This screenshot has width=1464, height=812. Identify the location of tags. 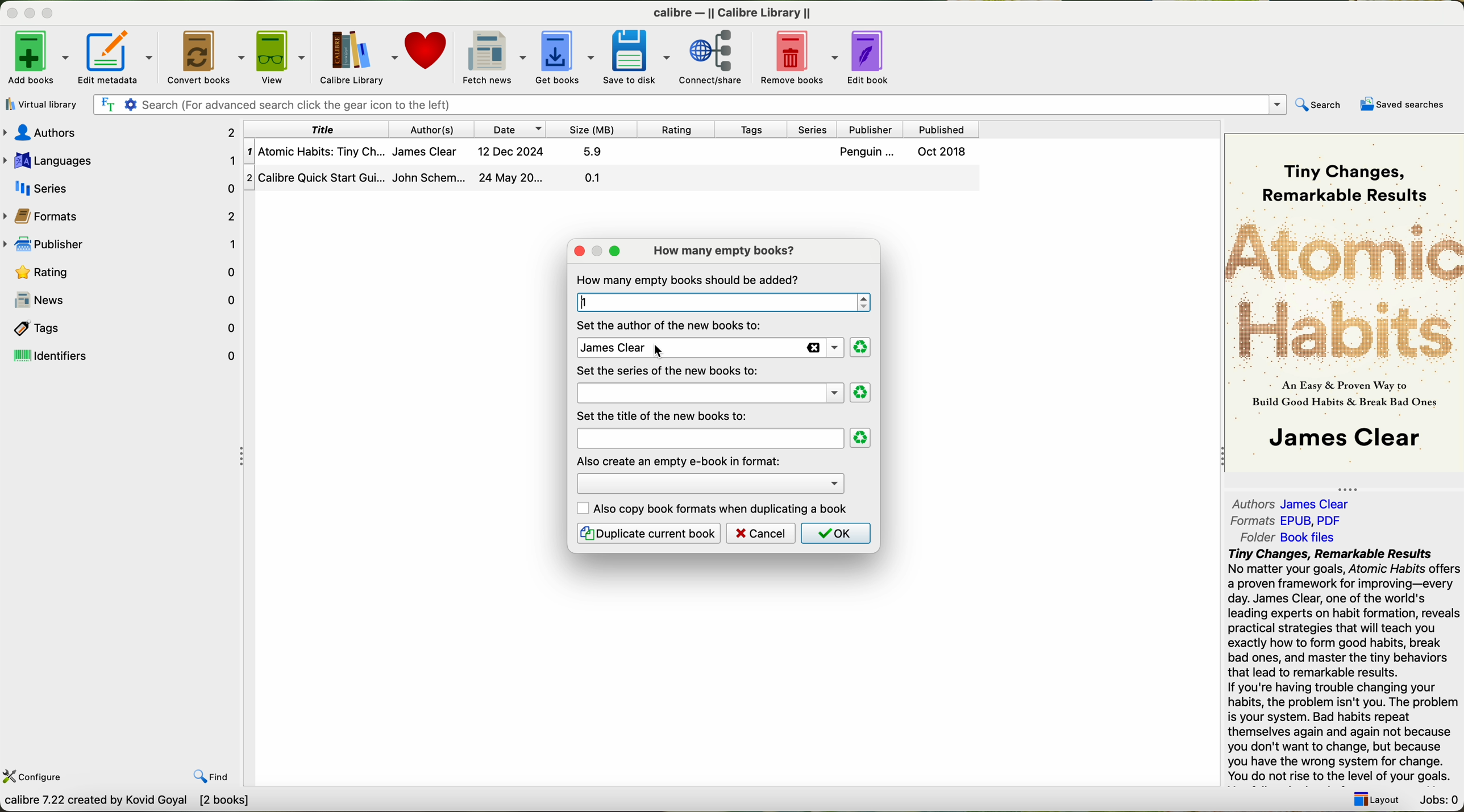
(756, 128).